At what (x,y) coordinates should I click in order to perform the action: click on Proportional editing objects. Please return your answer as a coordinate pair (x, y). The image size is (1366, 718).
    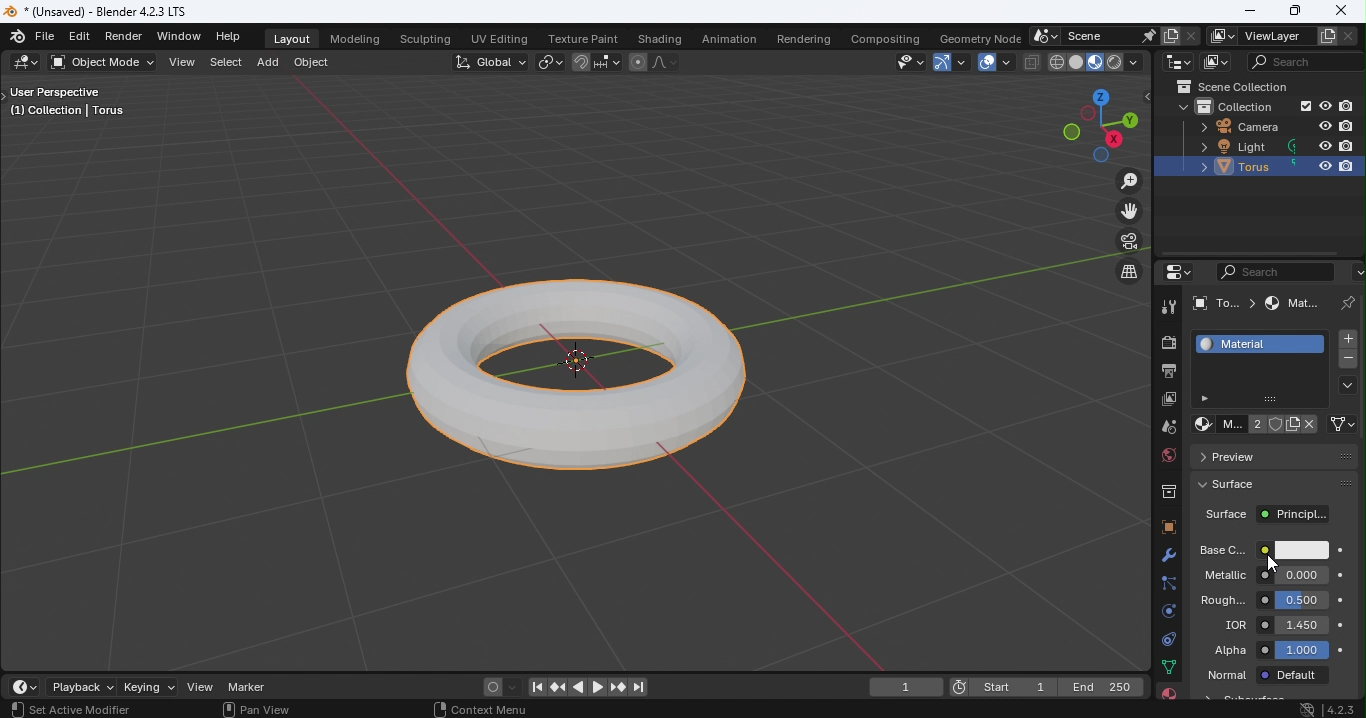
    Looking at the image, I should click on (638, 63).